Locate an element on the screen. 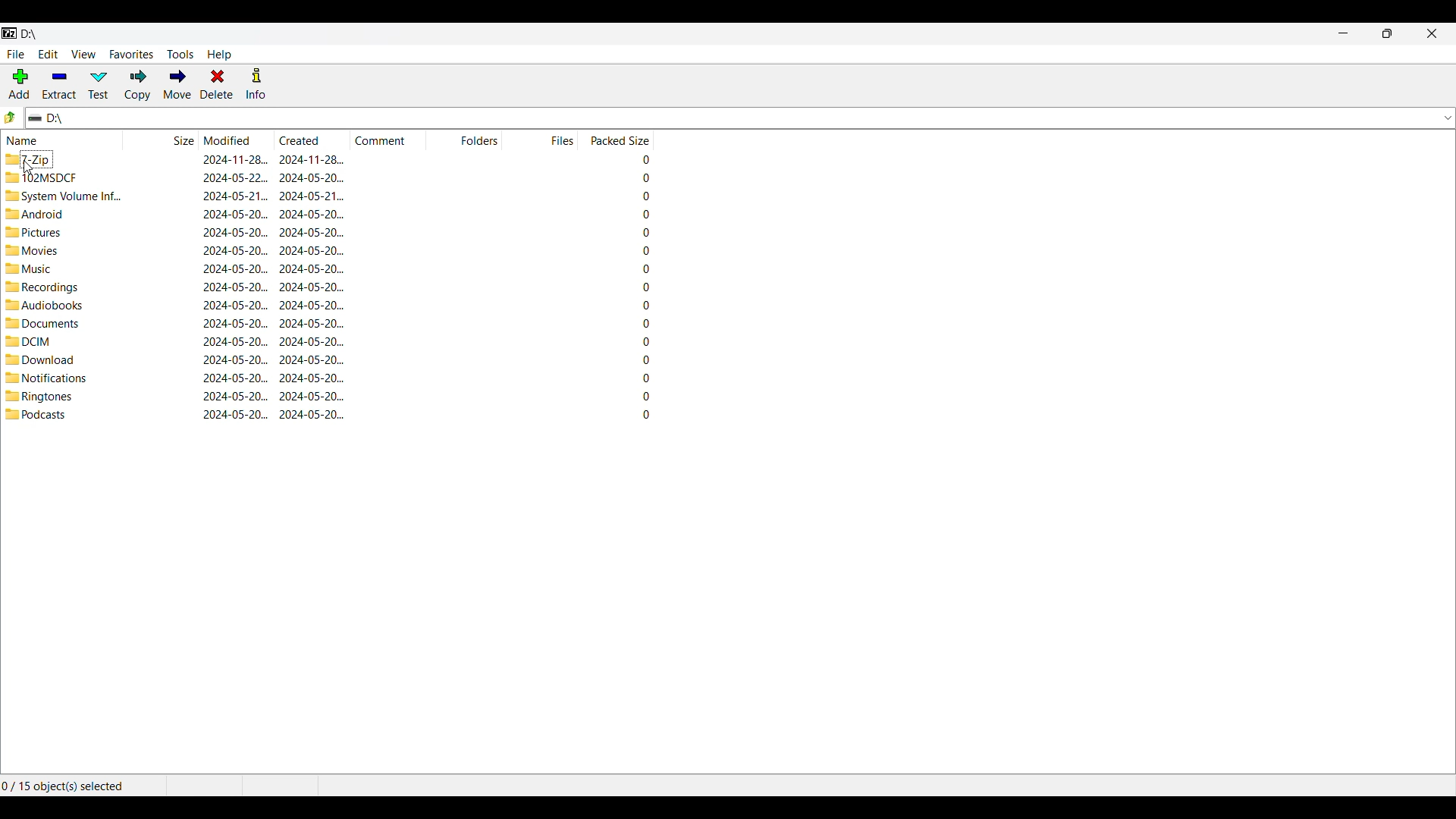  modified date & time is located at coordinates (237, 269).